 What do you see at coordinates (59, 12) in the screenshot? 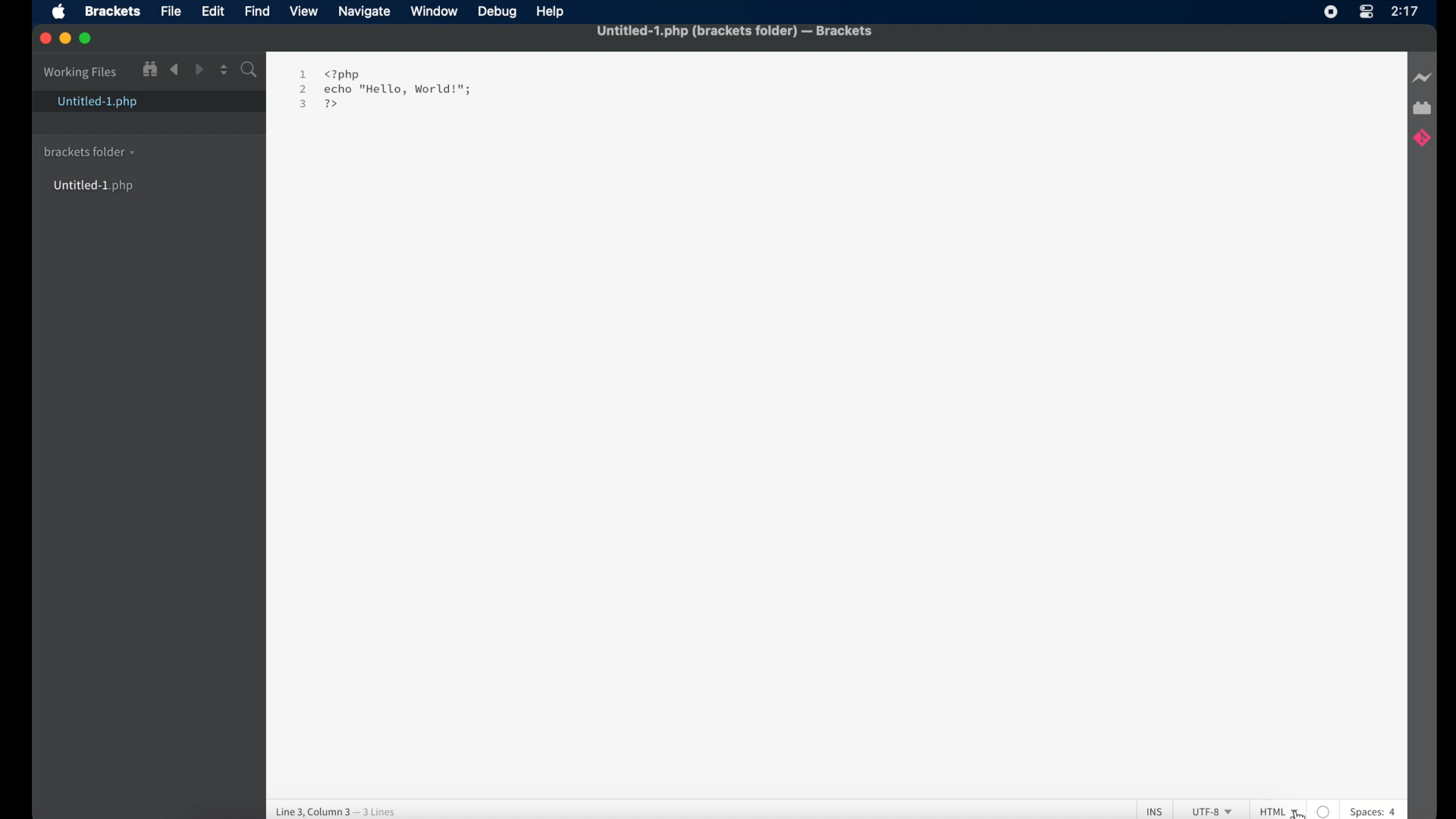
I see `apple icon` at bounding box center [59, 12].